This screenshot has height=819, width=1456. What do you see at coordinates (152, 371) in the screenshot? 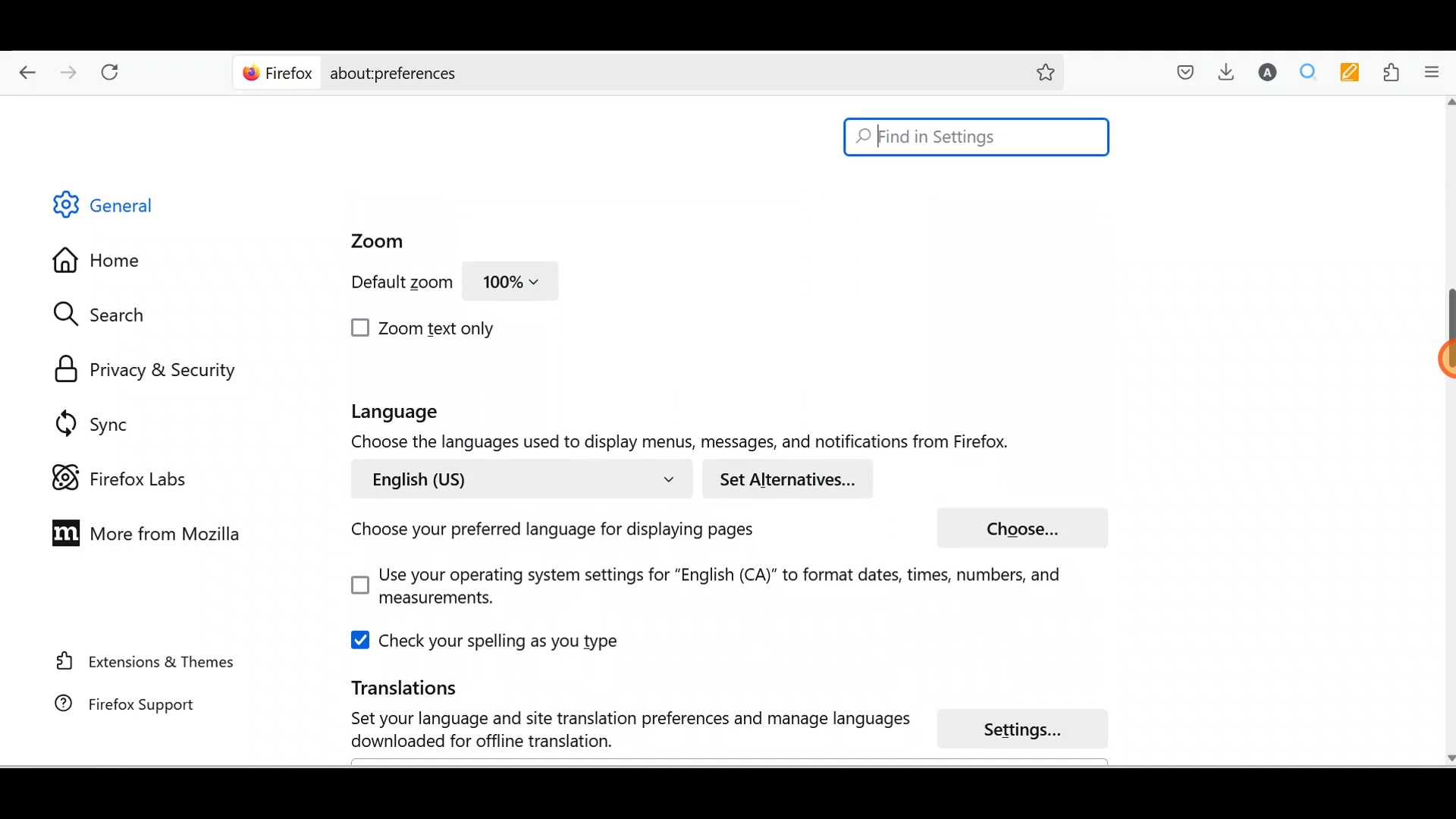
I see `Privacy & security` at bounding box center [152, 371].